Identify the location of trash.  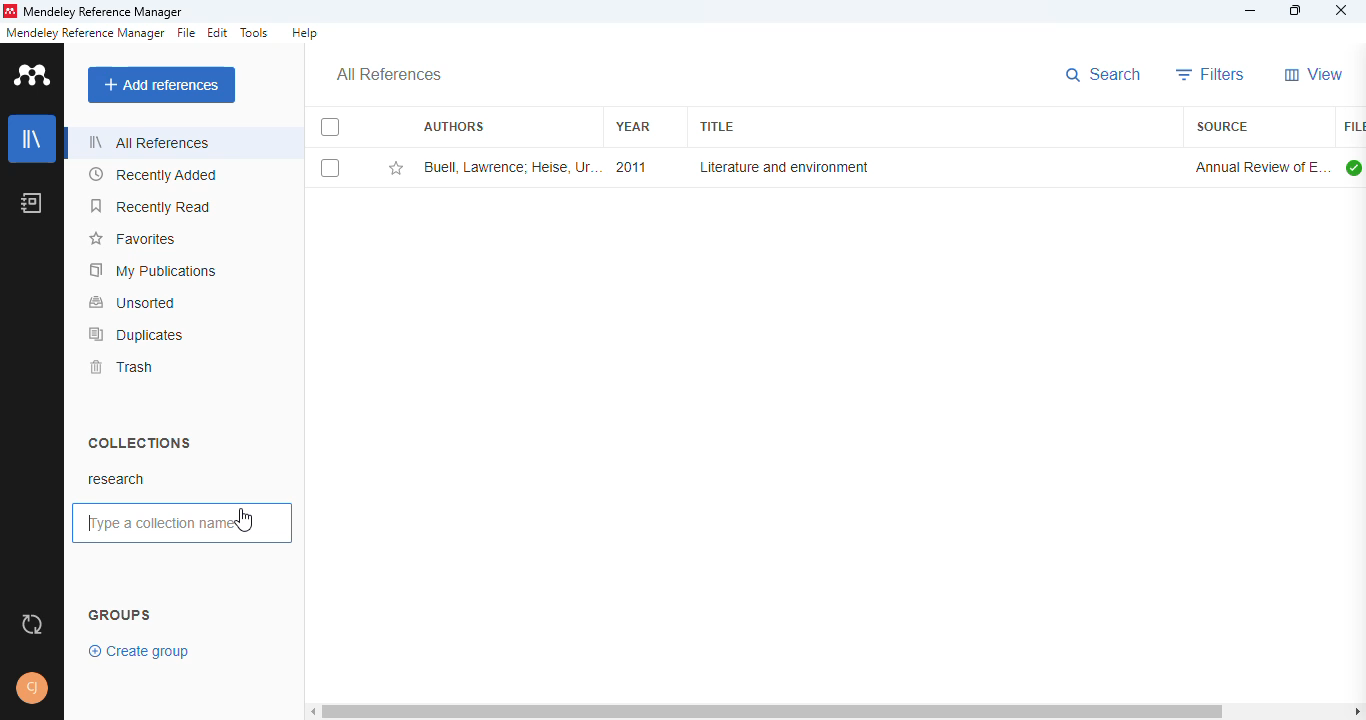
(122, 367).